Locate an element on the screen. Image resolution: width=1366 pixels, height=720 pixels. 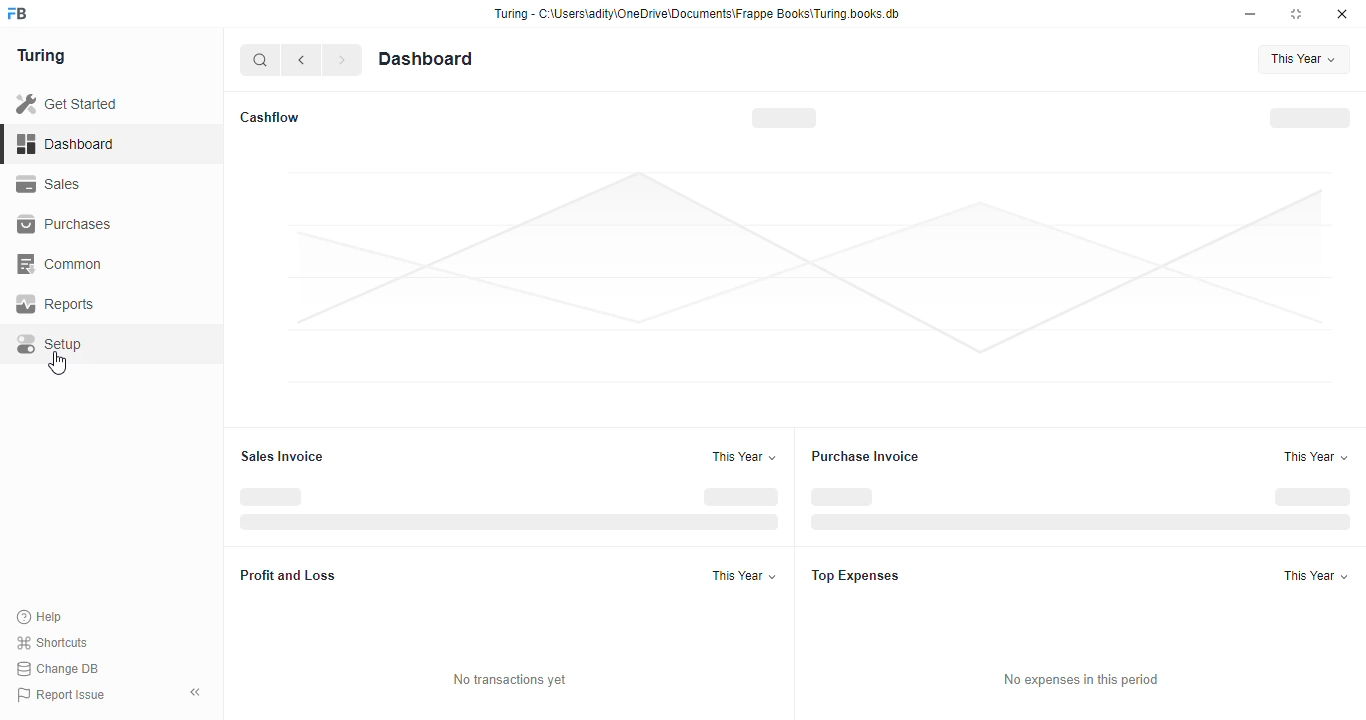
This Year  is located at coordinates (1313, 458).